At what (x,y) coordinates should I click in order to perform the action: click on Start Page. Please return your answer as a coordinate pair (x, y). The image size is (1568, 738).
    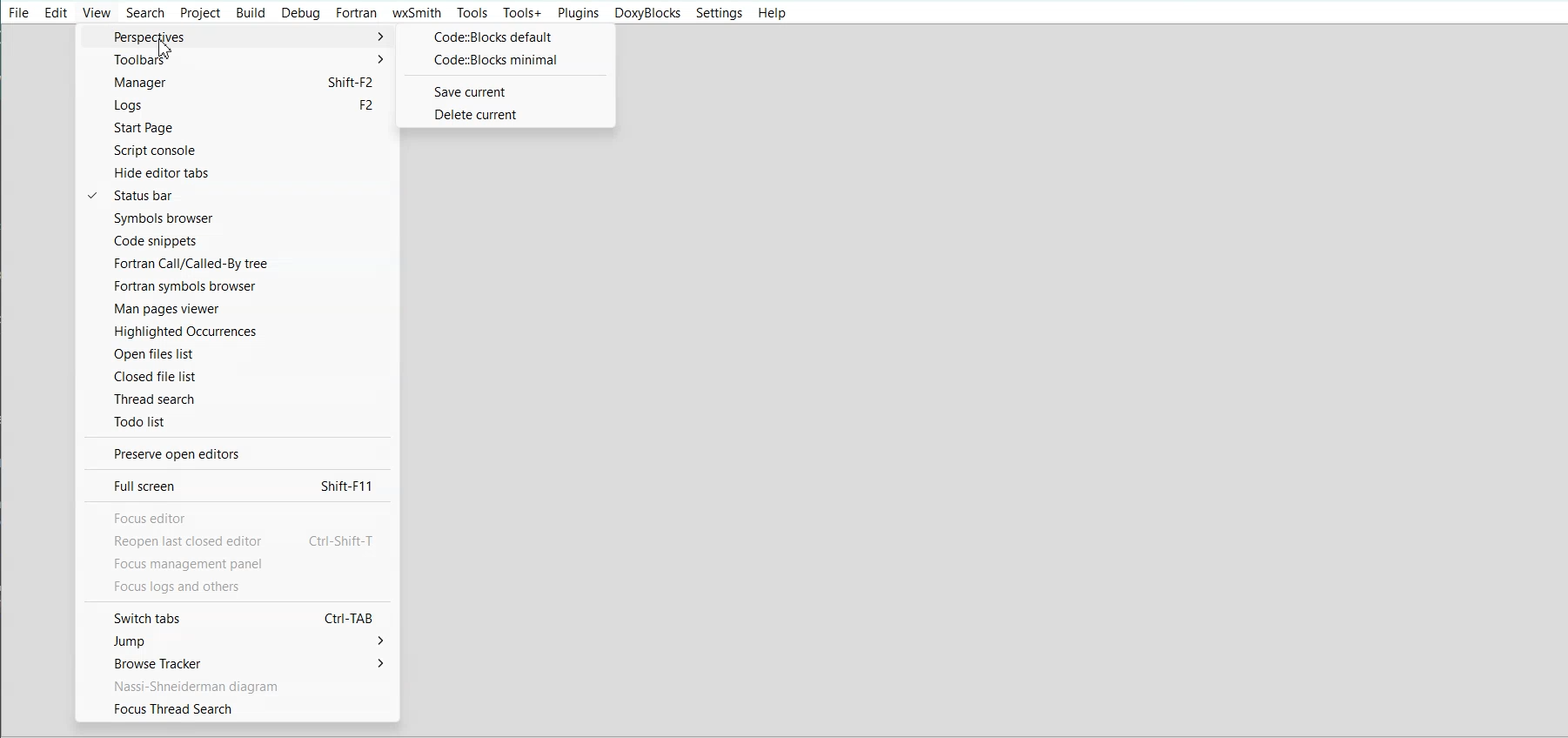
    Looking at the image, I should click on (239, 128).